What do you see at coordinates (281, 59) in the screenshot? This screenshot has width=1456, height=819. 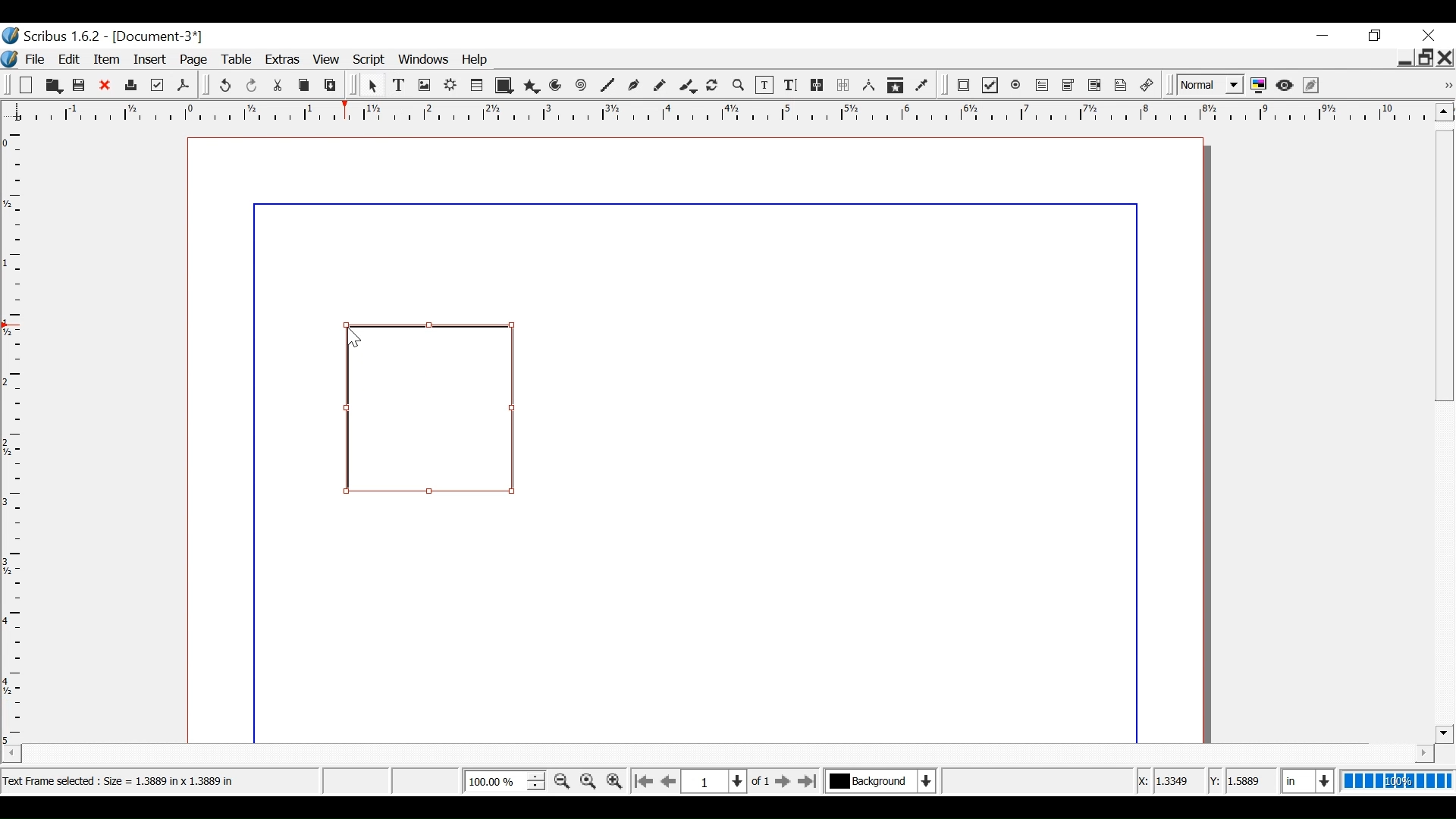 I see `Extras` at bounding box center [281, 59].